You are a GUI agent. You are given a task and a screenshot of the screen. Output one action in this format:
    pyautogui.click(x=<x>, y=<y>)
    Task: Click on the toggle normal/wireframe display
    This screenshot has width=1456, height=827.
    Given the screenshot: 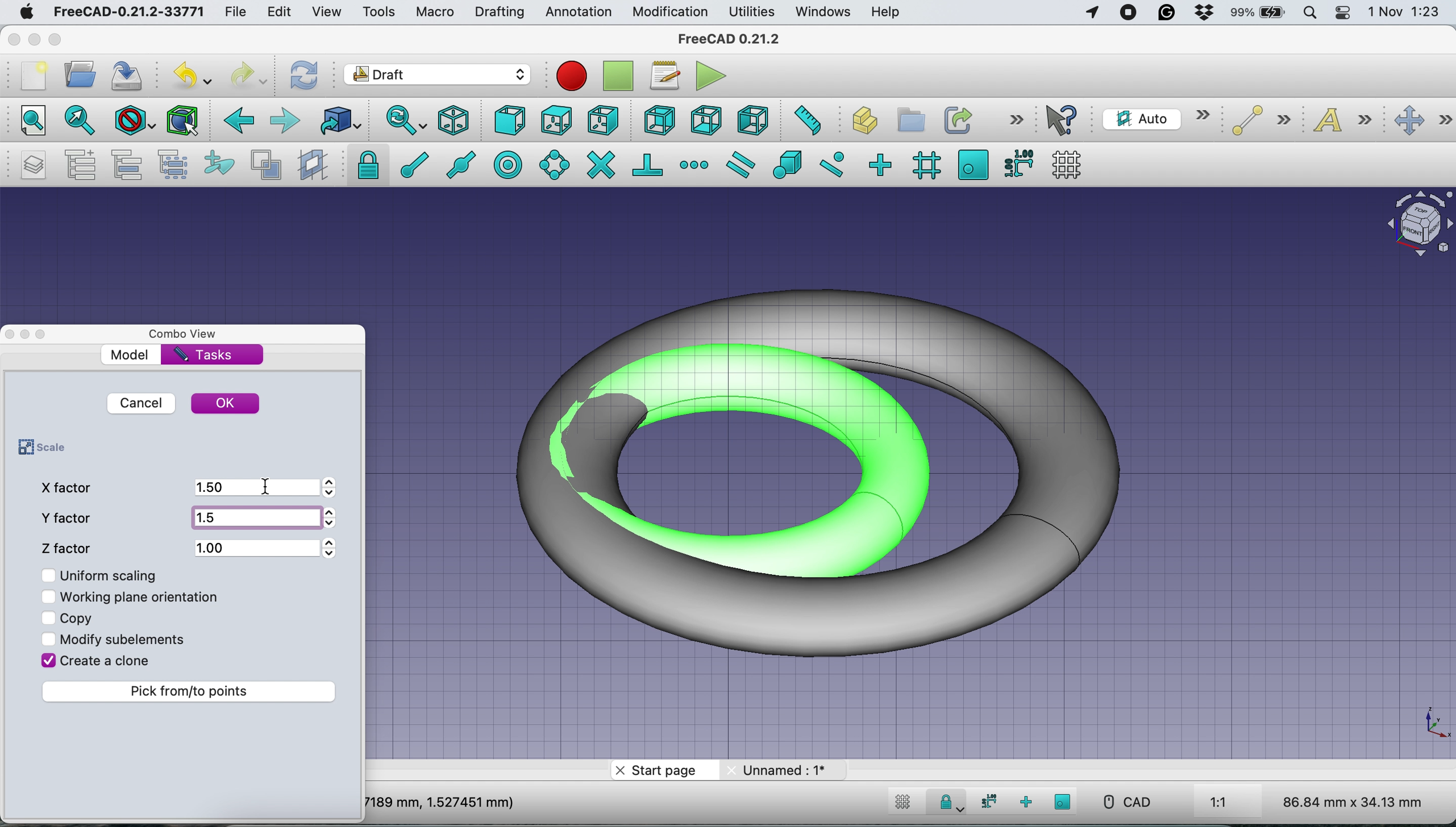 What is the action you would take?
    pyautogui.click(x=265, y=165)
    